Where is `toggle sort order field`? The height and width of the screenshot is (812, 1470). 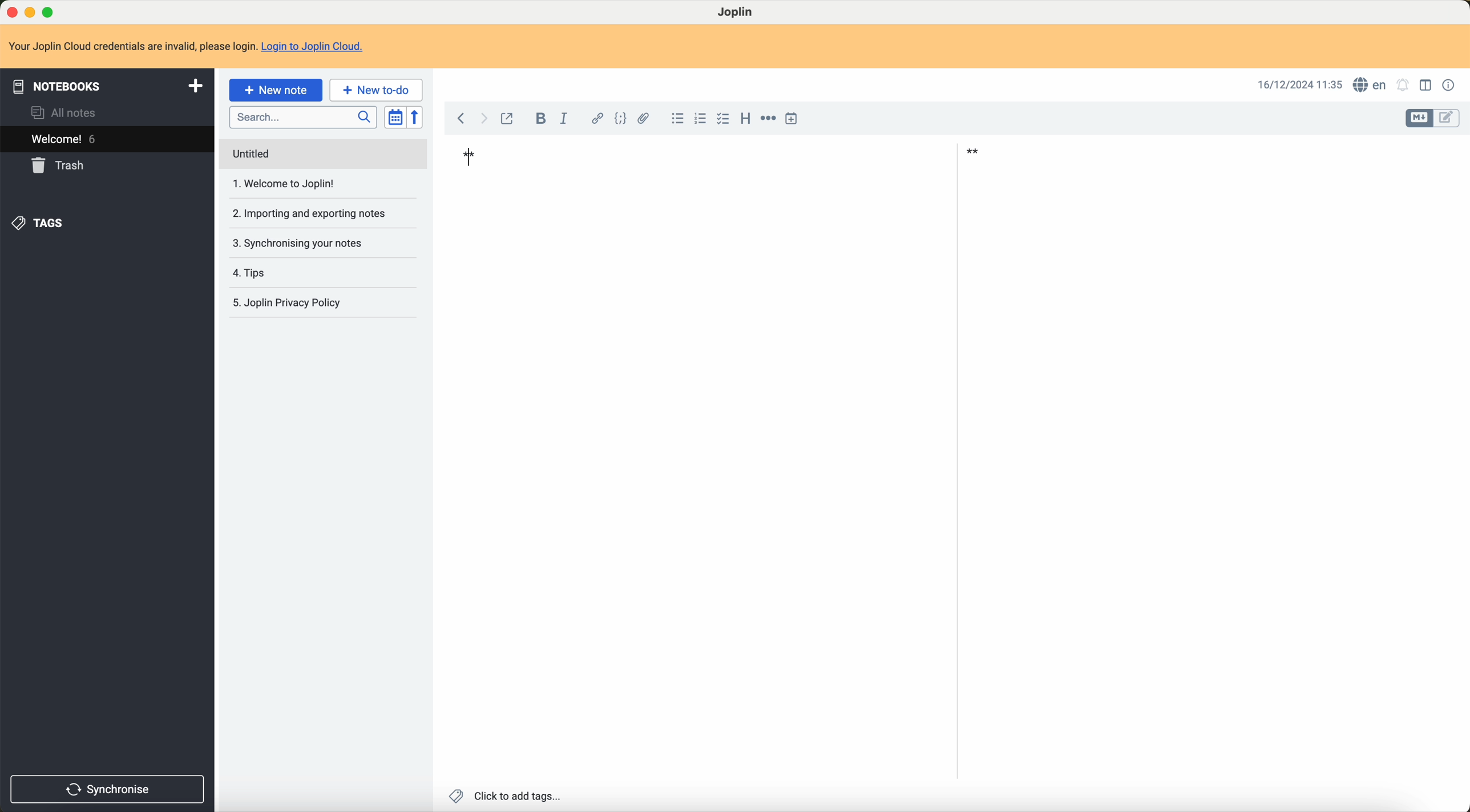 toggle sort order field is located at coordinates (393, 118).